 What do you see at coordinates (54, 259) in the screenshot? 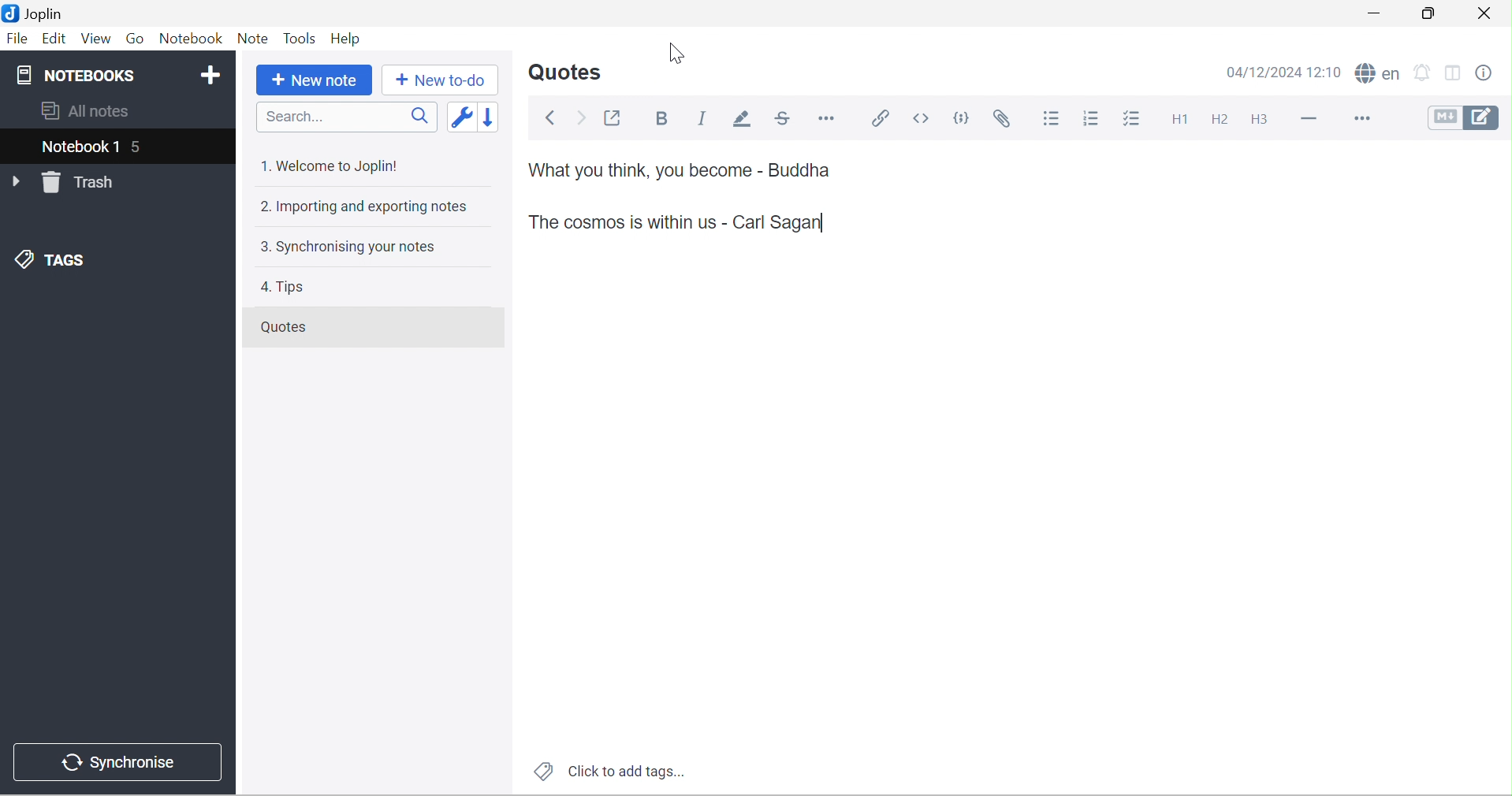
I see `TAGS` at bounding box center [54, 259].